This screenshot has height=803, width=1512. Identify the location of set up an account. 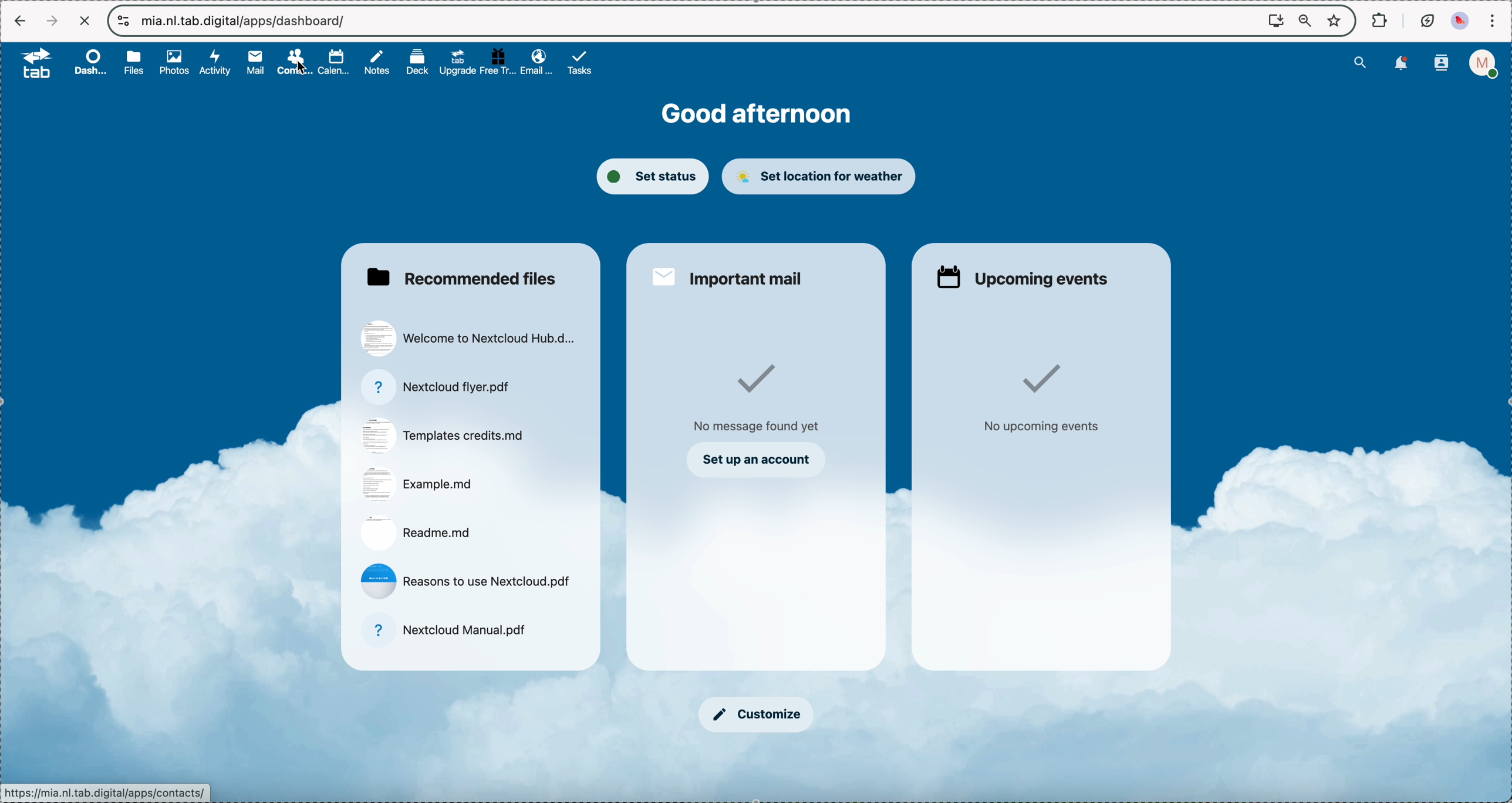
(760, 460).